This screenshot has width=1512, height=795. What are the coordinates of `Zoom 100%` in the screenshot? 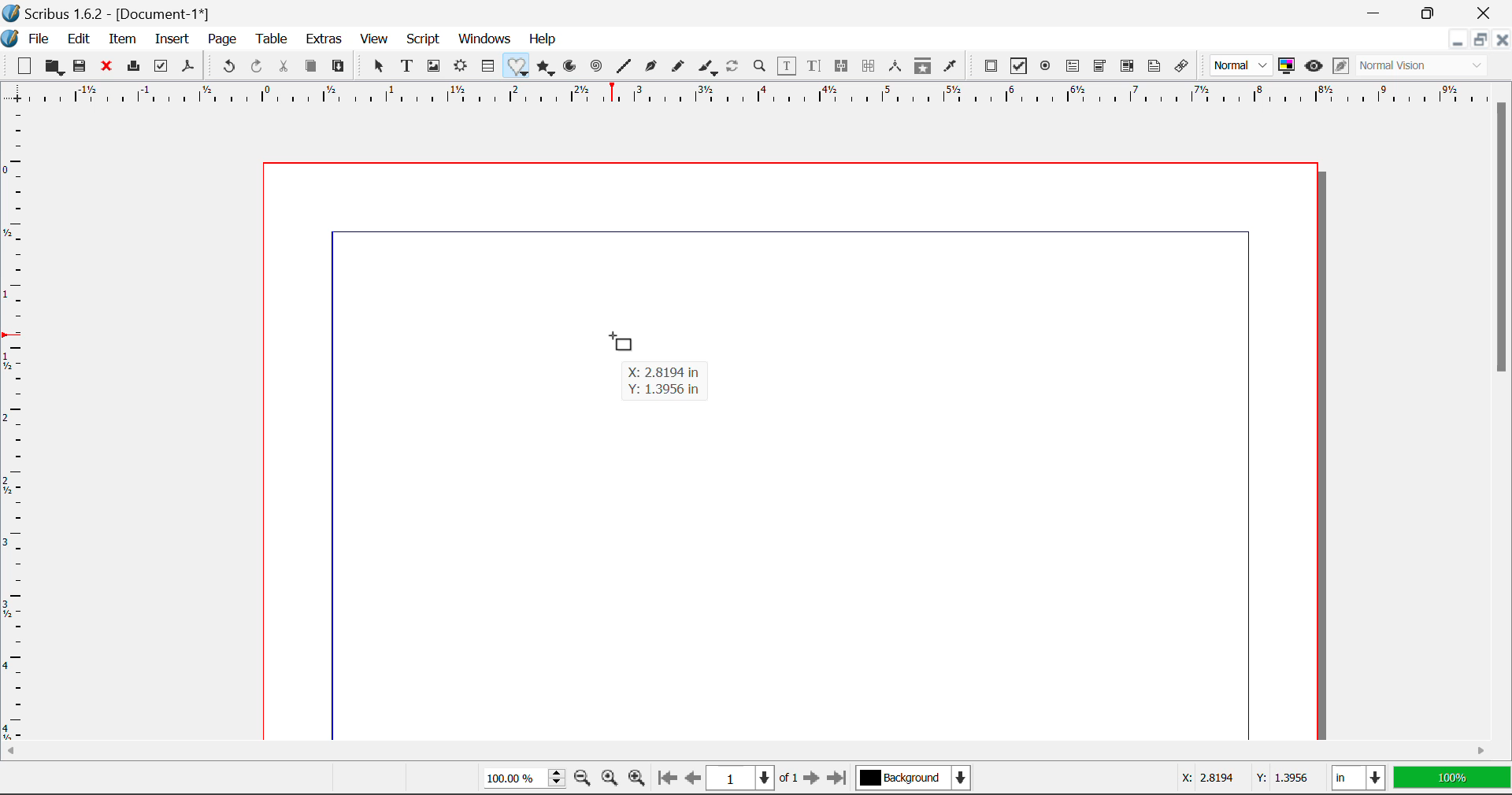 It's located at (520, 780).